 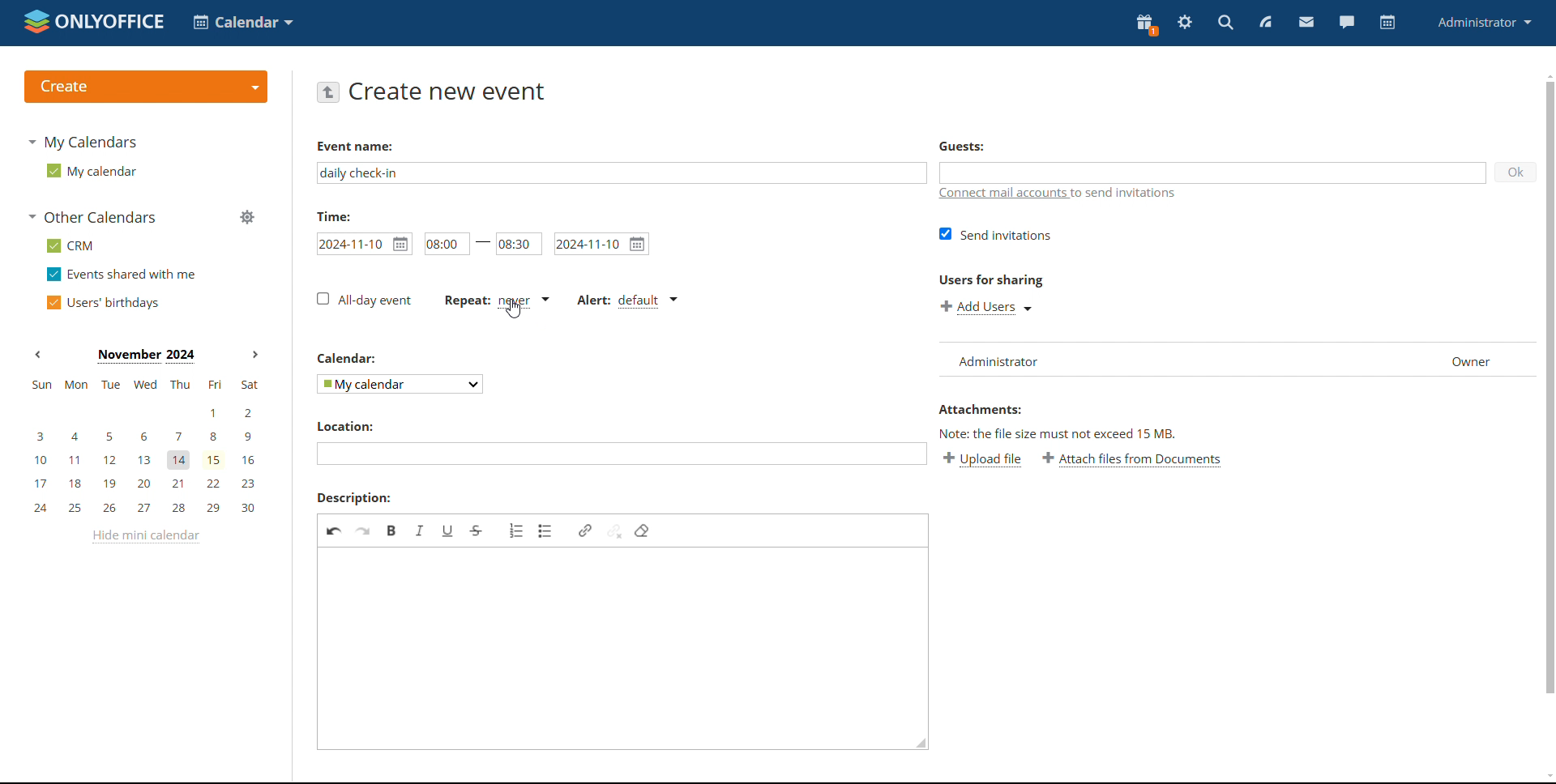 What do you see at coordinates (1472, 360) in the screenshot?
I see `owner` at bounding box center [1472, 360].